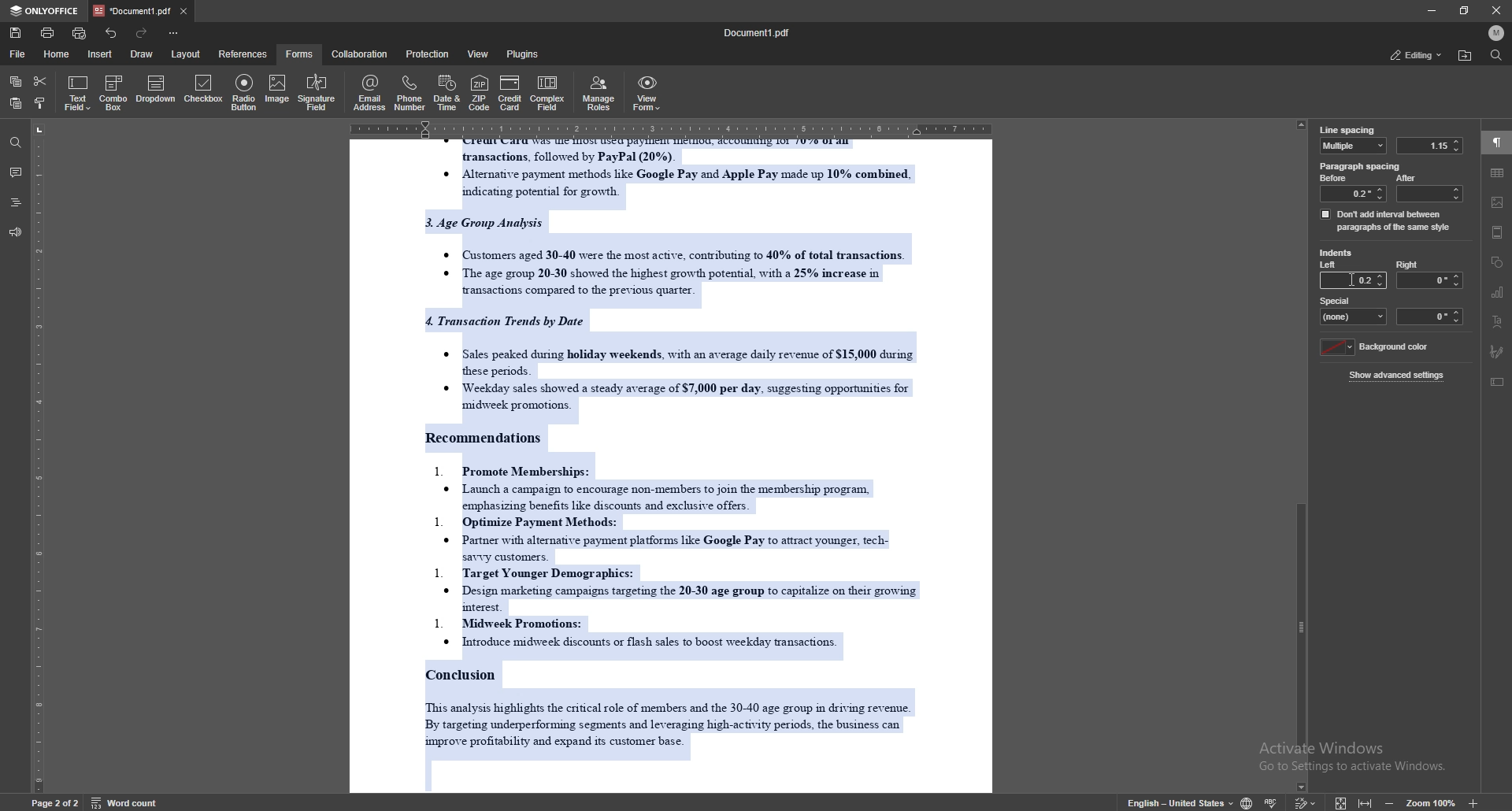  What do you see at coordinates (1247, 802) in the screenshot?
I see `change doc language` at bounding box center [1247, 802].